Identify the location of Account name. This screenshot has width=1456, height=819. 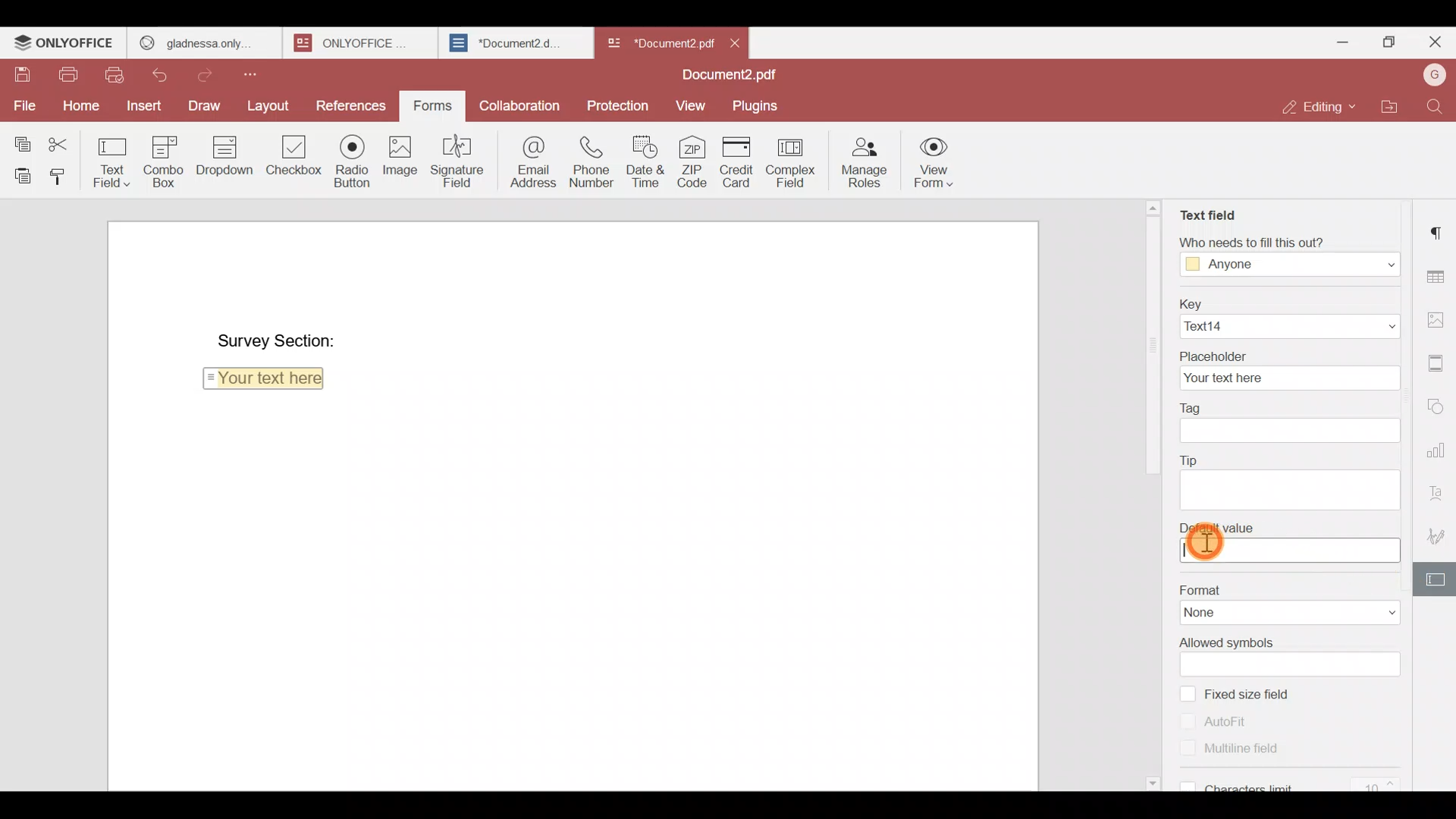
(1434, 75).